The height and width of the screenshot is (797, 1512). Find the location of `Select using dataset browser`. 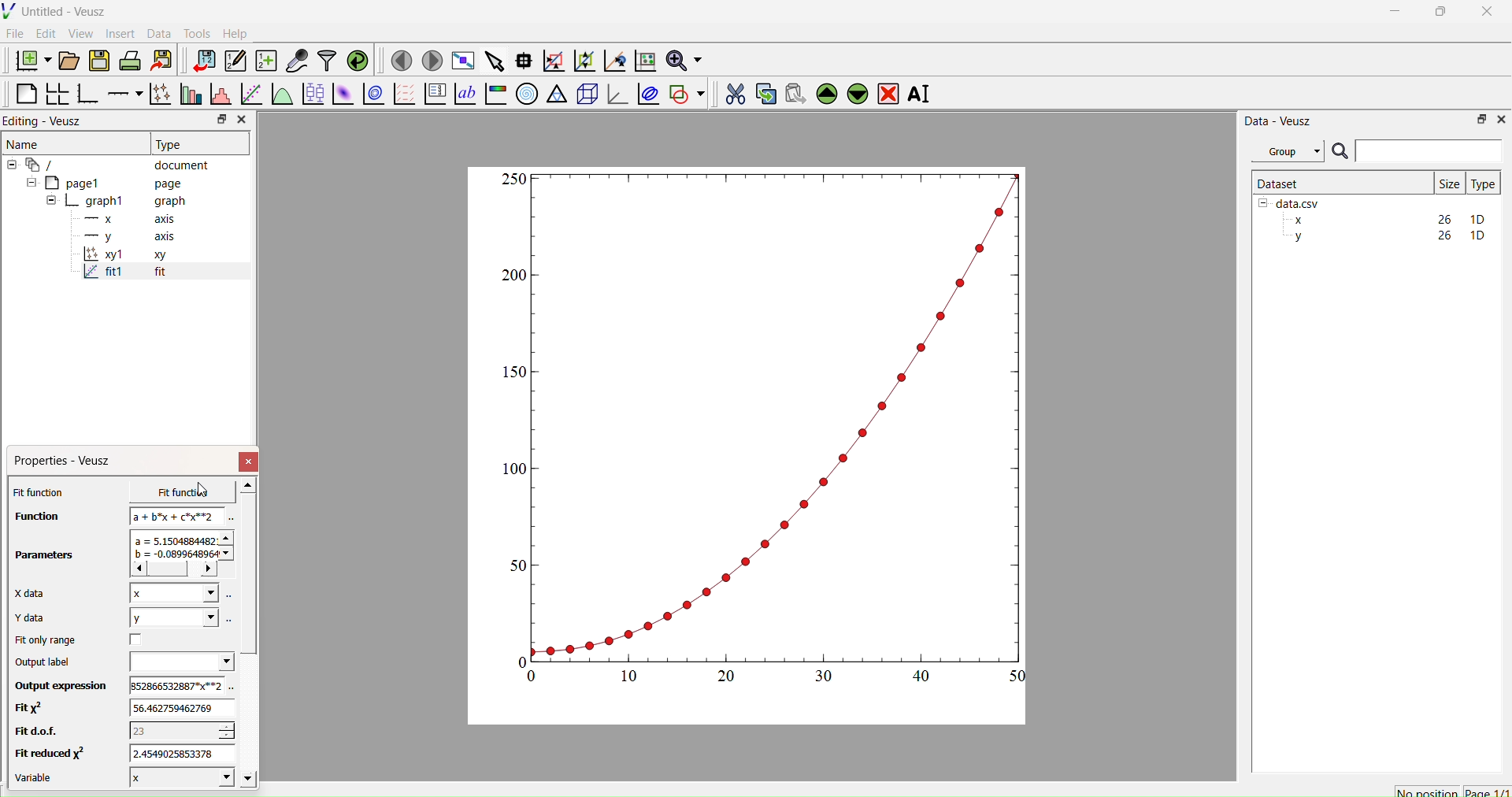

Select using dataset browser is located at coordinates (230, 599).